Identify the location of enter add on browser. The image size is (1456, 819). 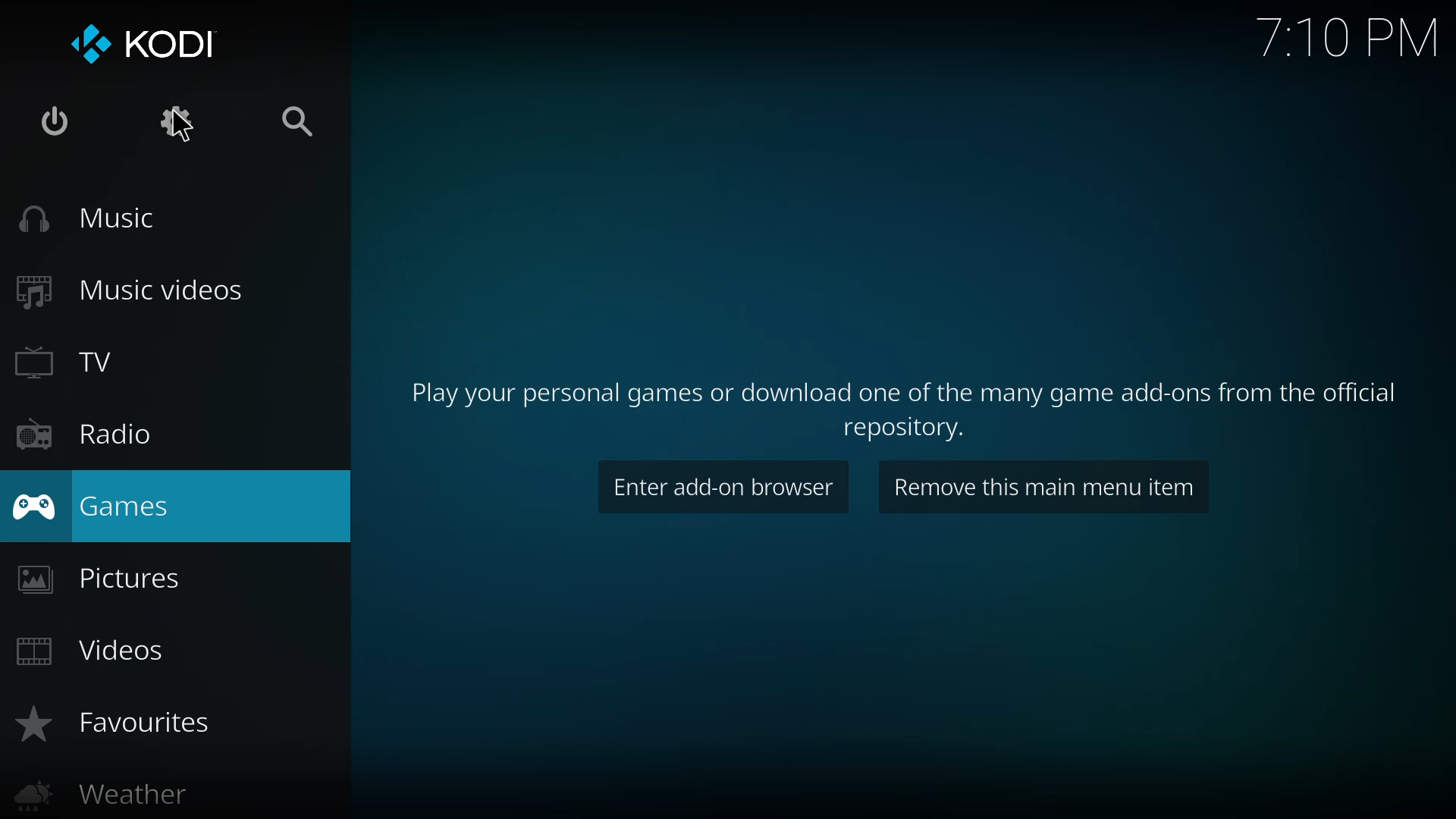
(724, 488).